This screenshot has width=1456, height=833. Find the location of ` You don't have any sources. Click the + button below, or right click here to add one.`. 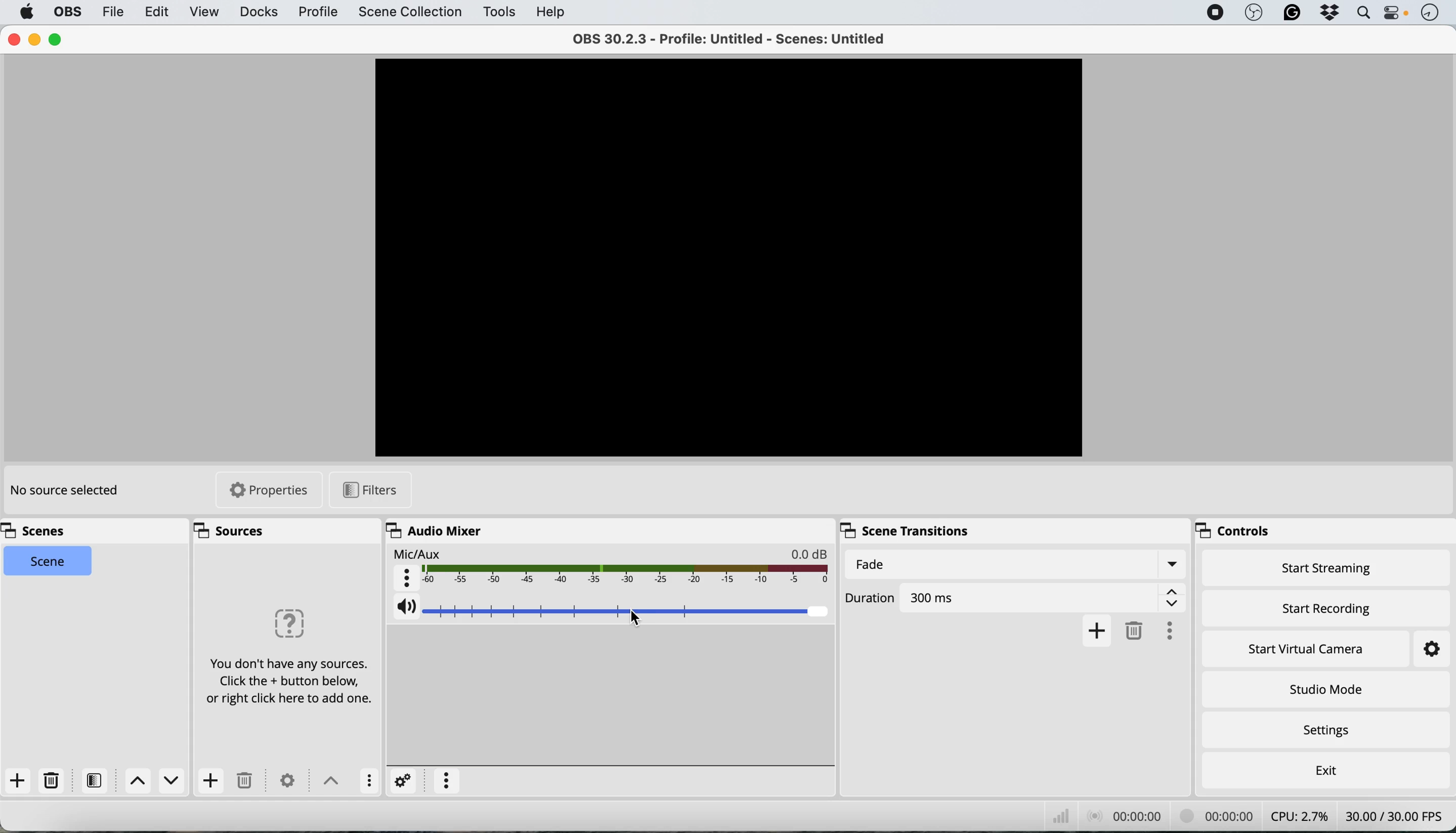

 You don't have any sources. Click the + button below, or right click here to add one. is located at coordinates (287, 657).